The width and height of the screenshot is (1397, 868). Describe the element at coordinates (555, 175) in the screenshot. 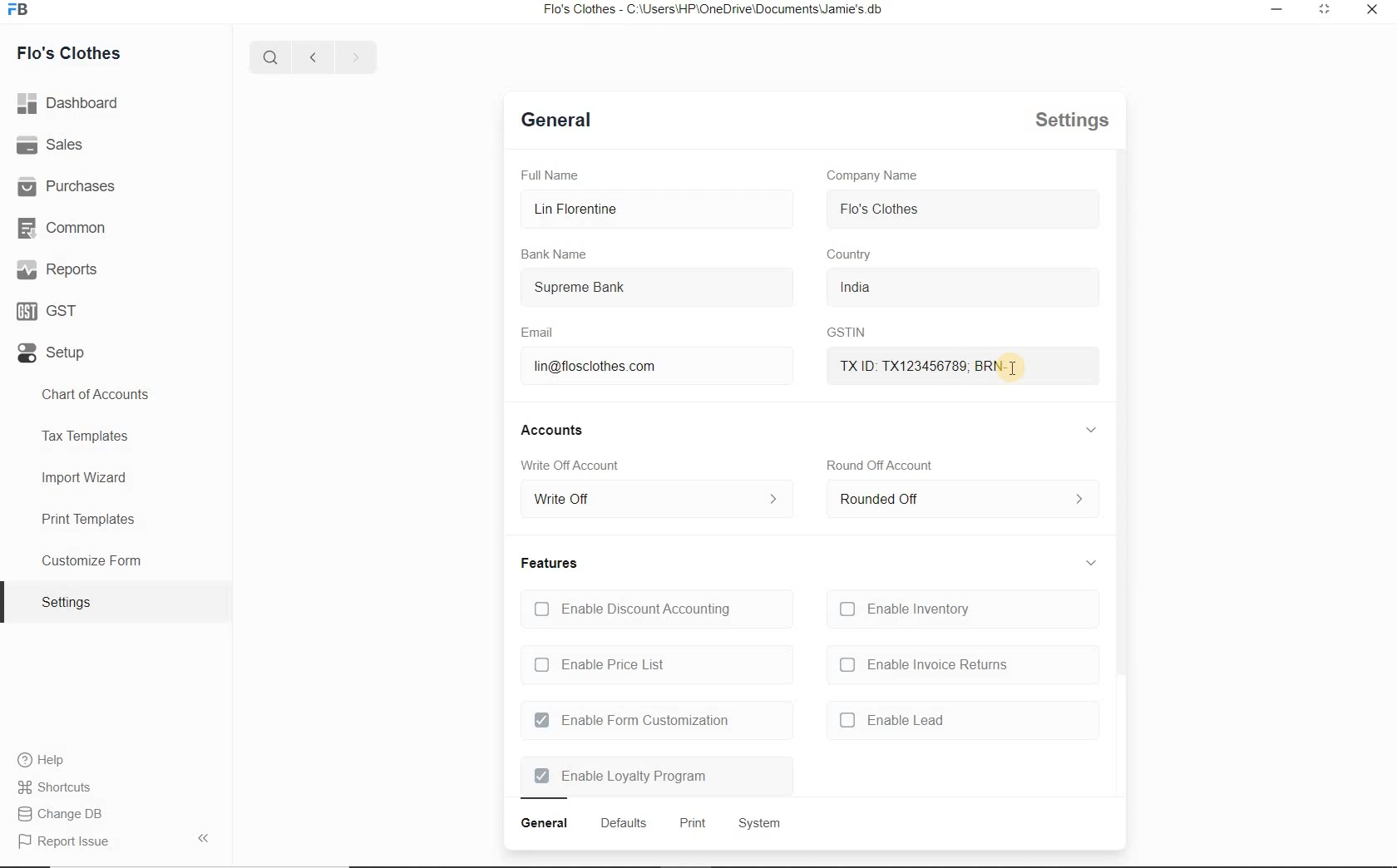

I see `Full Name` at that location.